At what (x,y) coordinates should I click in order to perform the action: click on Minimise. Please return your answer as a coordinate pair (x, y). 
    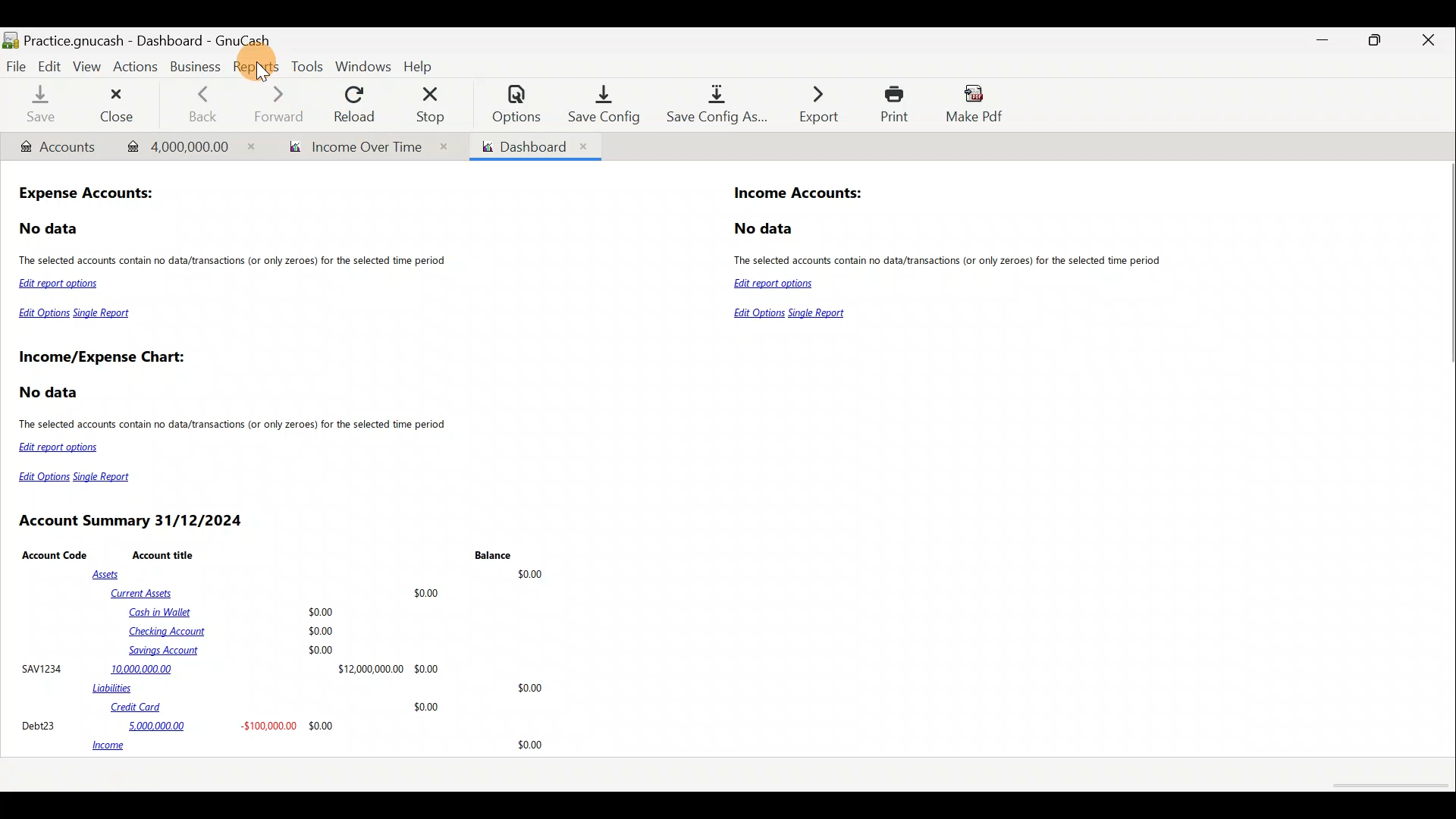
    Looking at the image, I should click on (1326, 40).